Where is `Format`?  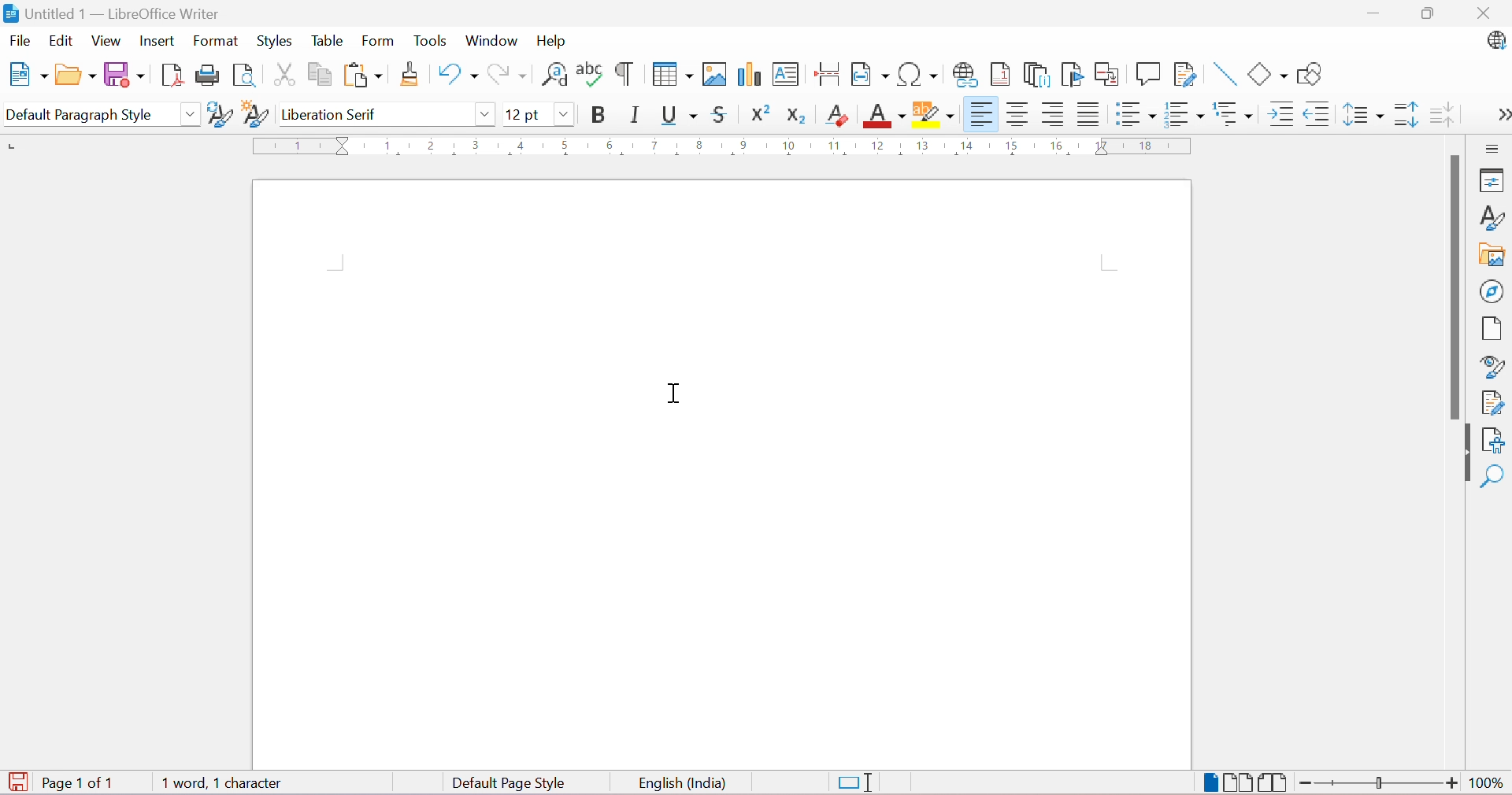 Format is located at coordinates (217, 40).